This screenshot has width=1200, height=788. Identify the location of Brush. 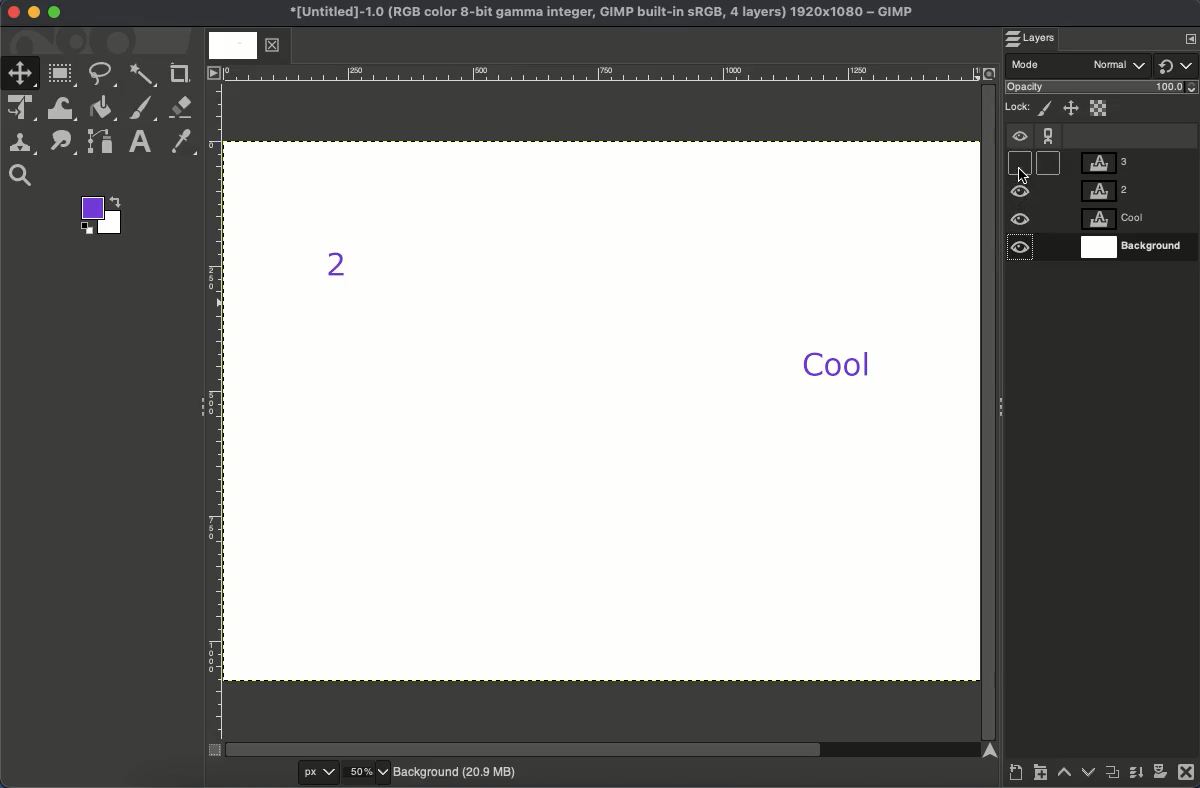
(143, 109).